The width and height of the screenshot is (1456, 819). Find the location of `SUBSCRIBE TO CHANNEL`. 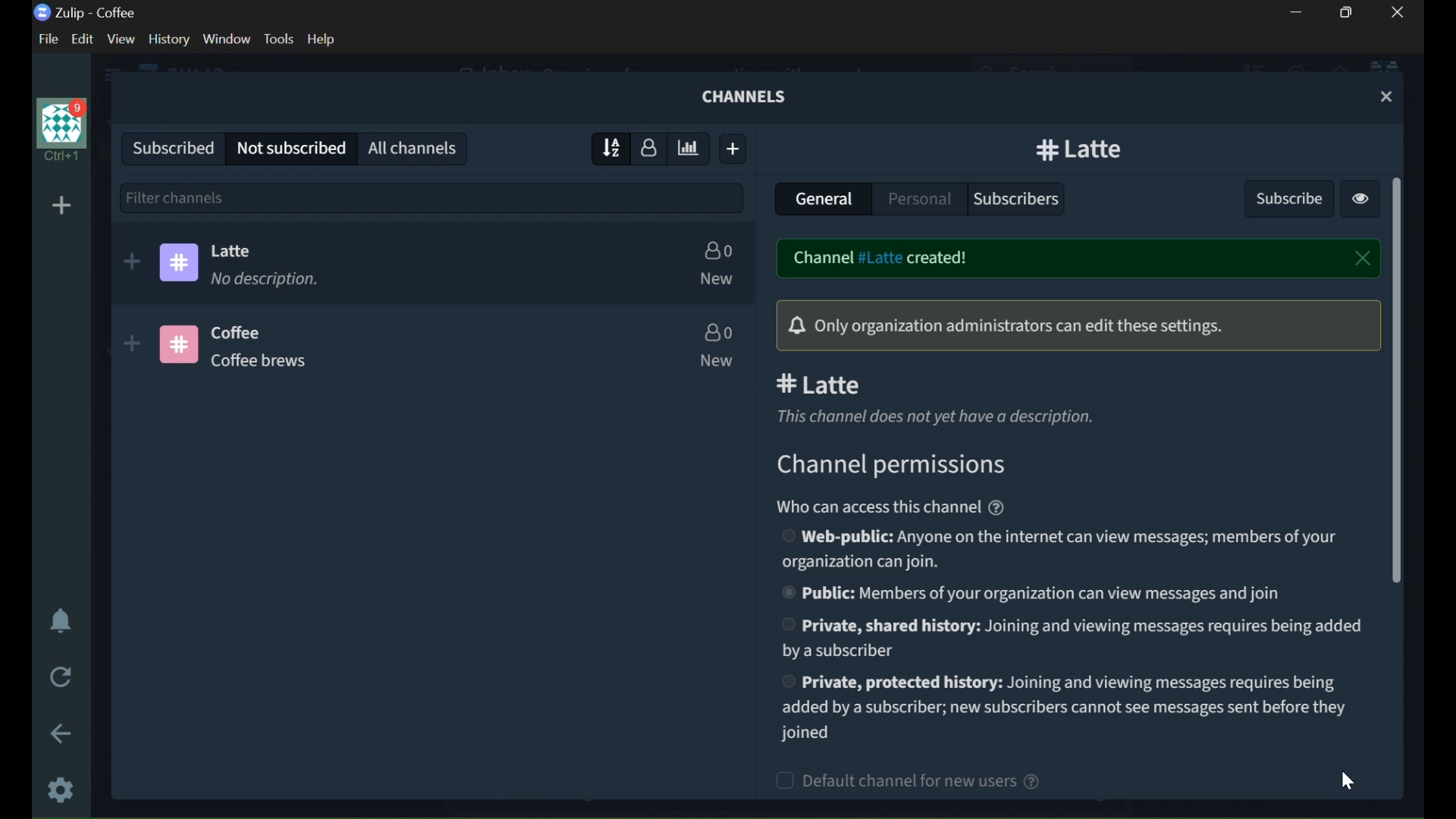

SUBSCRIBE TO CHANNEL is located at coordinates (132, 262).